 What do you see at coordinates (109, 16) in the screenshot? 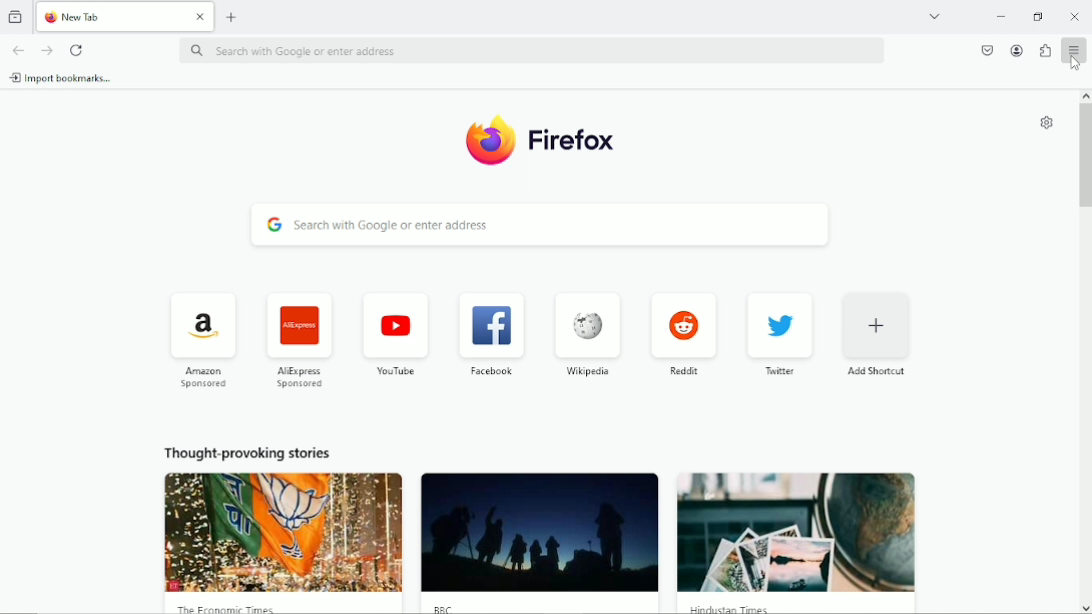
I see `New Tab` at bounding box center [109, 16].